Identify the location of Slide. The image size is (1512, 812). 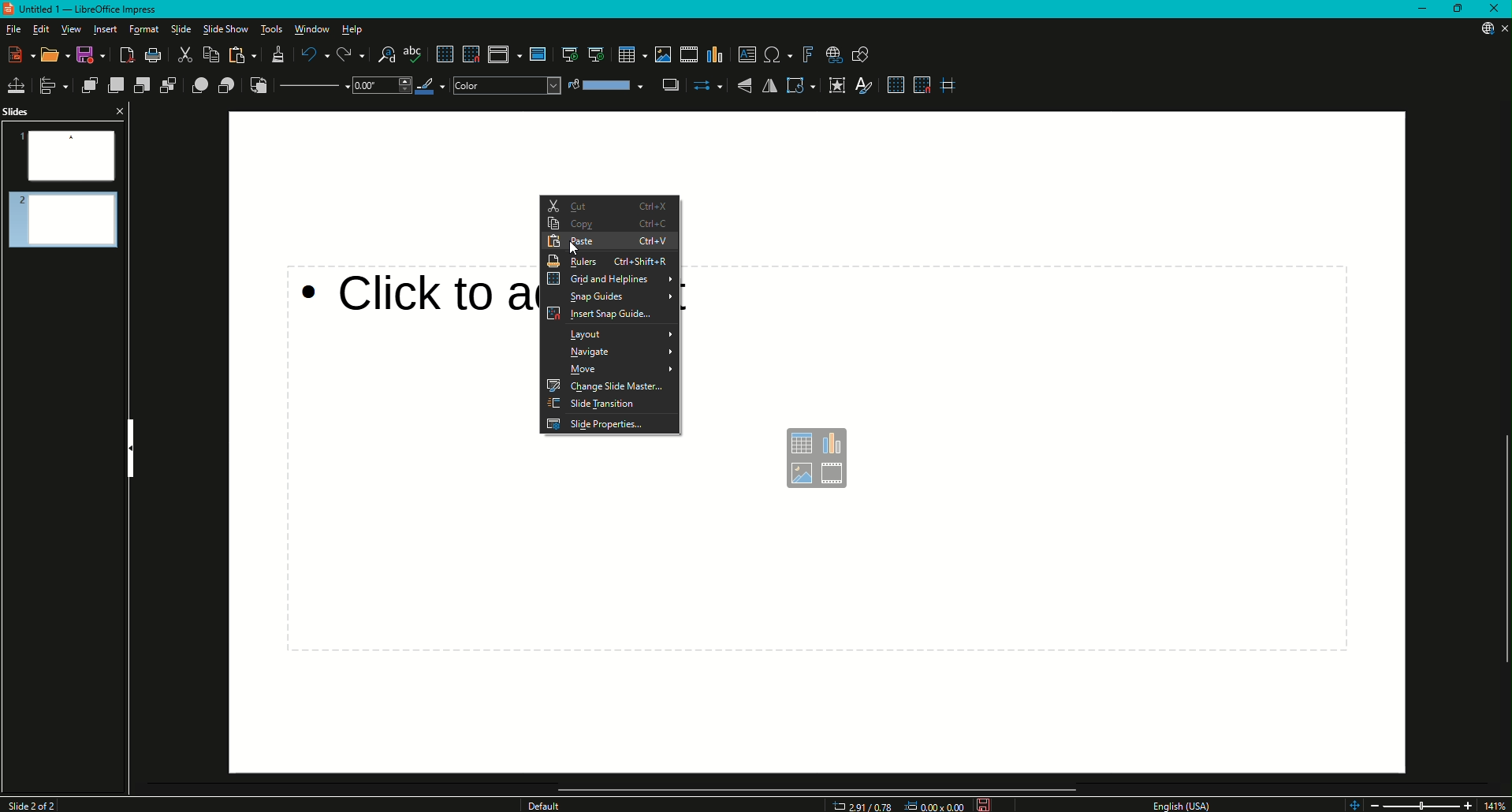
(181, 30).